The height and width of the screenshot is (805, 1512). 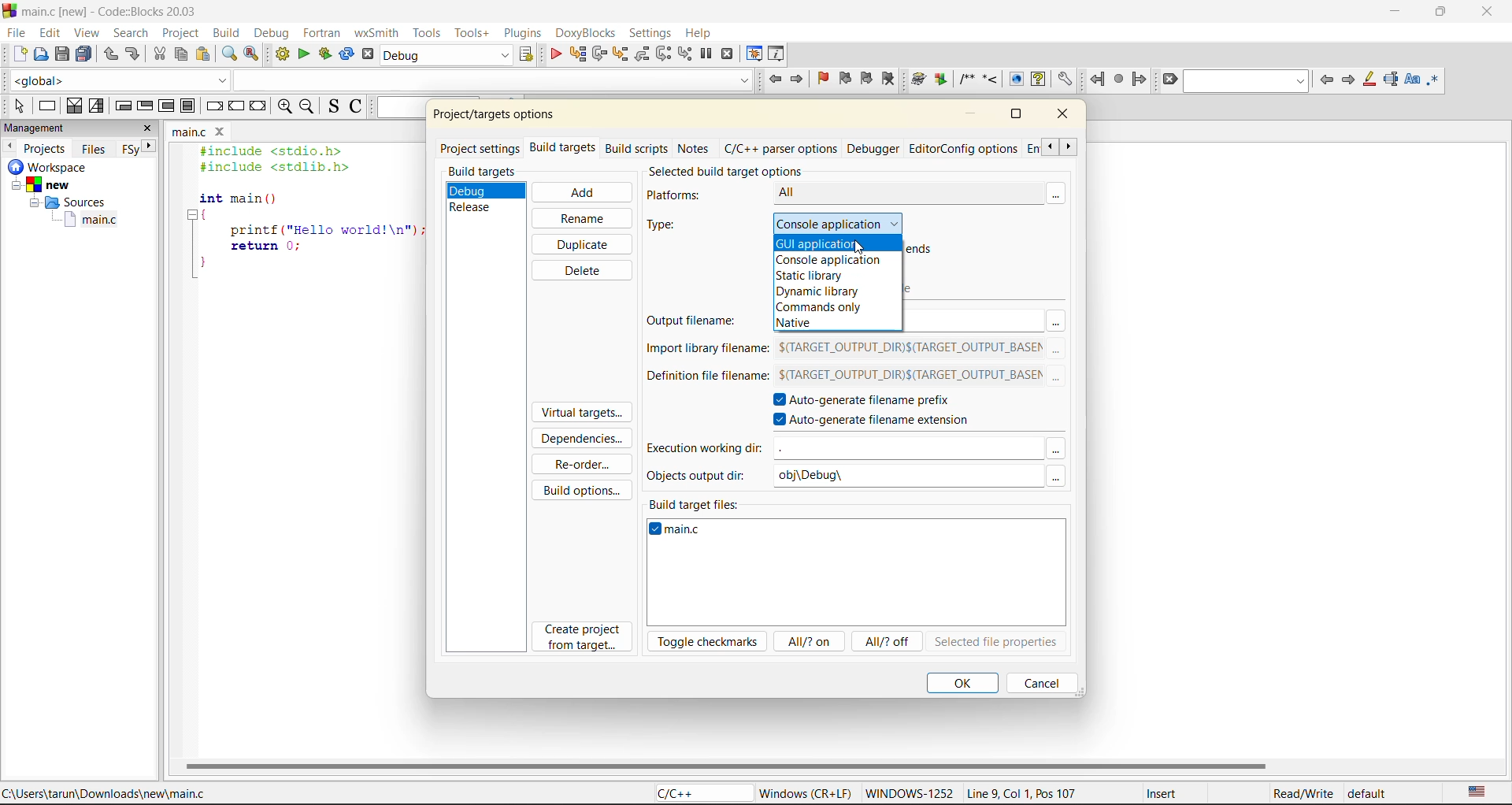 What do you see at coordinates (599, 53) in the screenshot?
I see `next line` at bounding box center [599, 53].